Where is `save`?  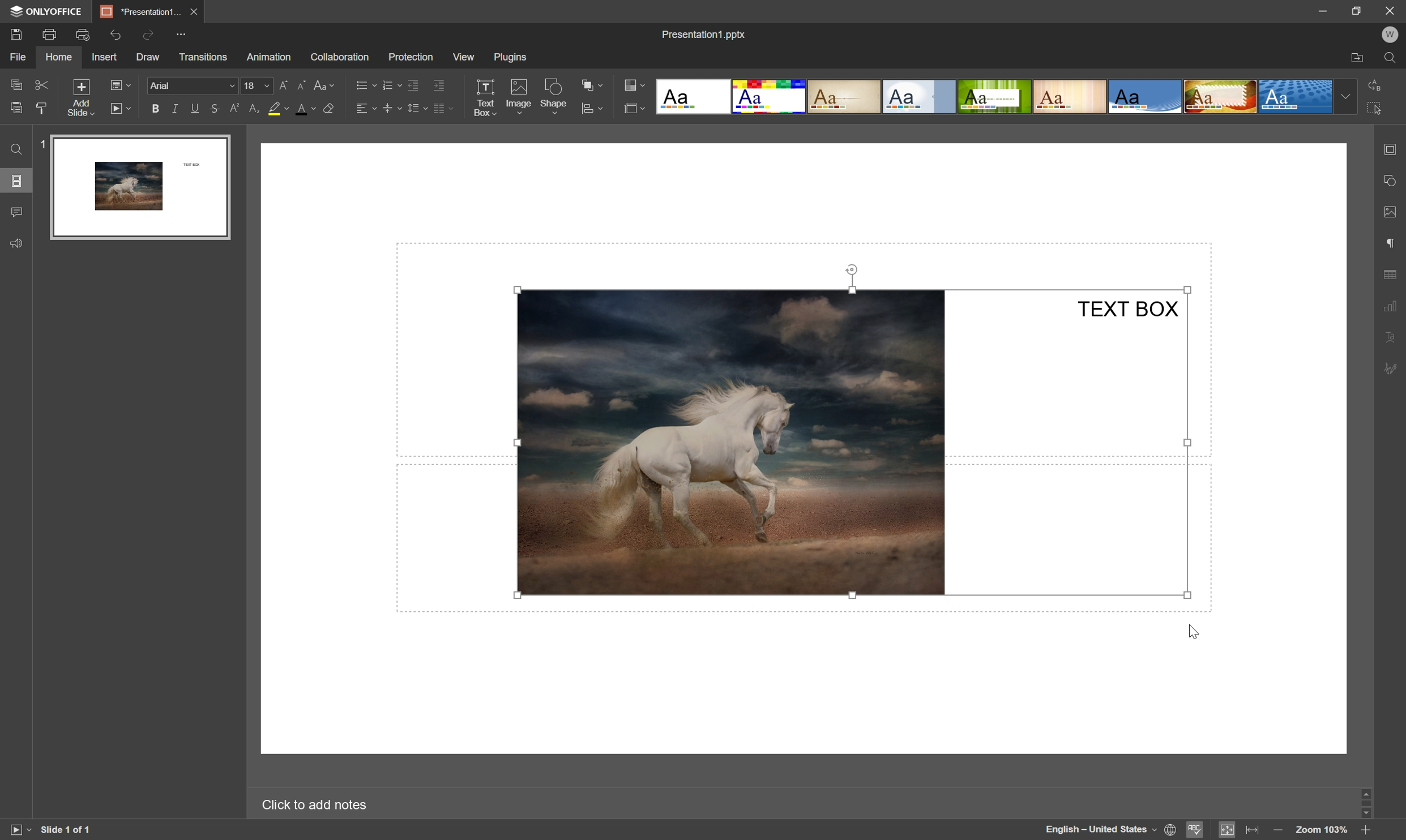
save is located at coordinates (16, 33).